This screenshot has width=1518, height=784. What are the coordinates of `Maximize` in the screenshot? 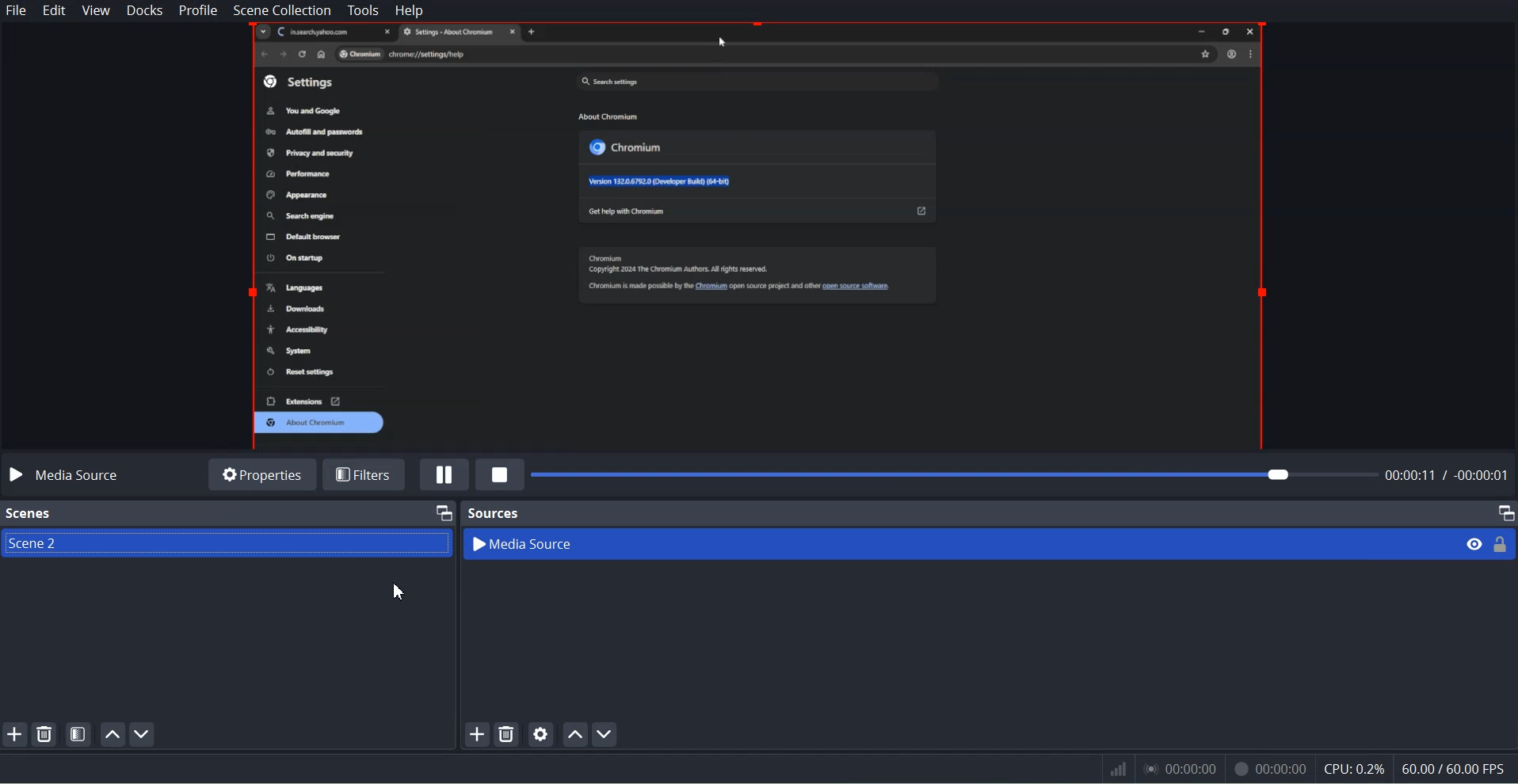 It's located at (441, 512).